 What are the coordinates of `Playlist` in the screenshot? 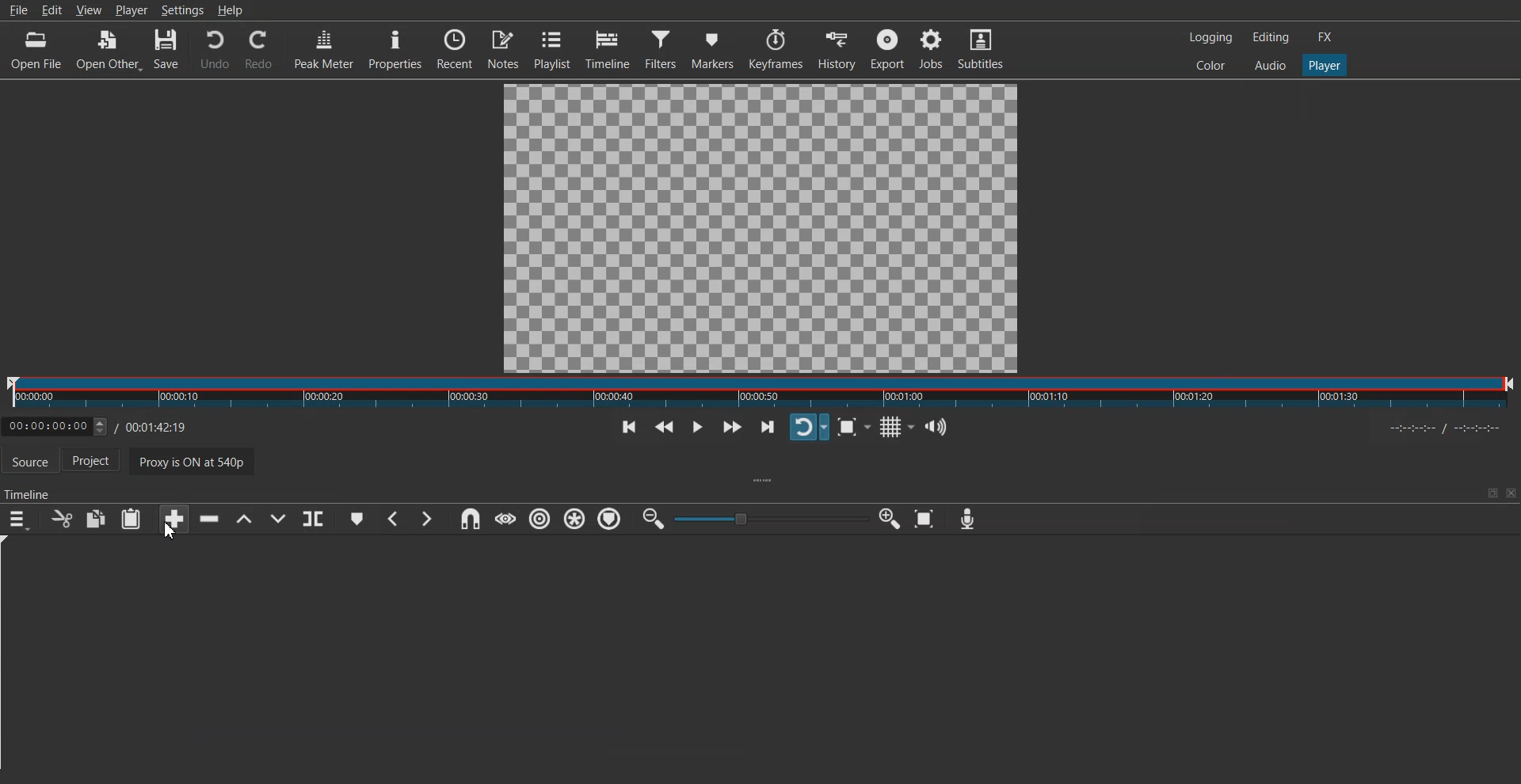 It's located at (552, 48).